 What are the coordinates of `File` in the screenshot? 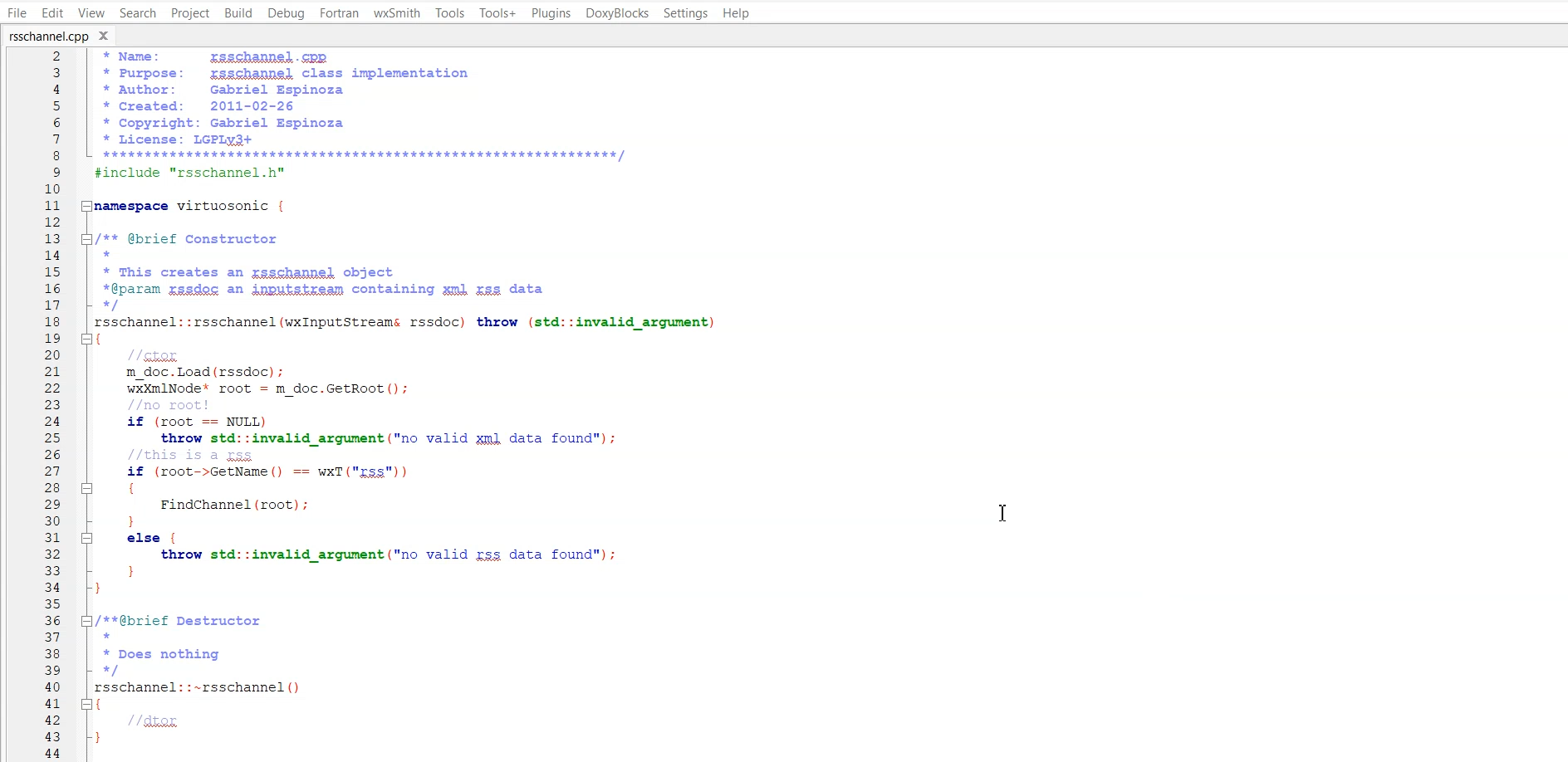 It's located at (17, 12).